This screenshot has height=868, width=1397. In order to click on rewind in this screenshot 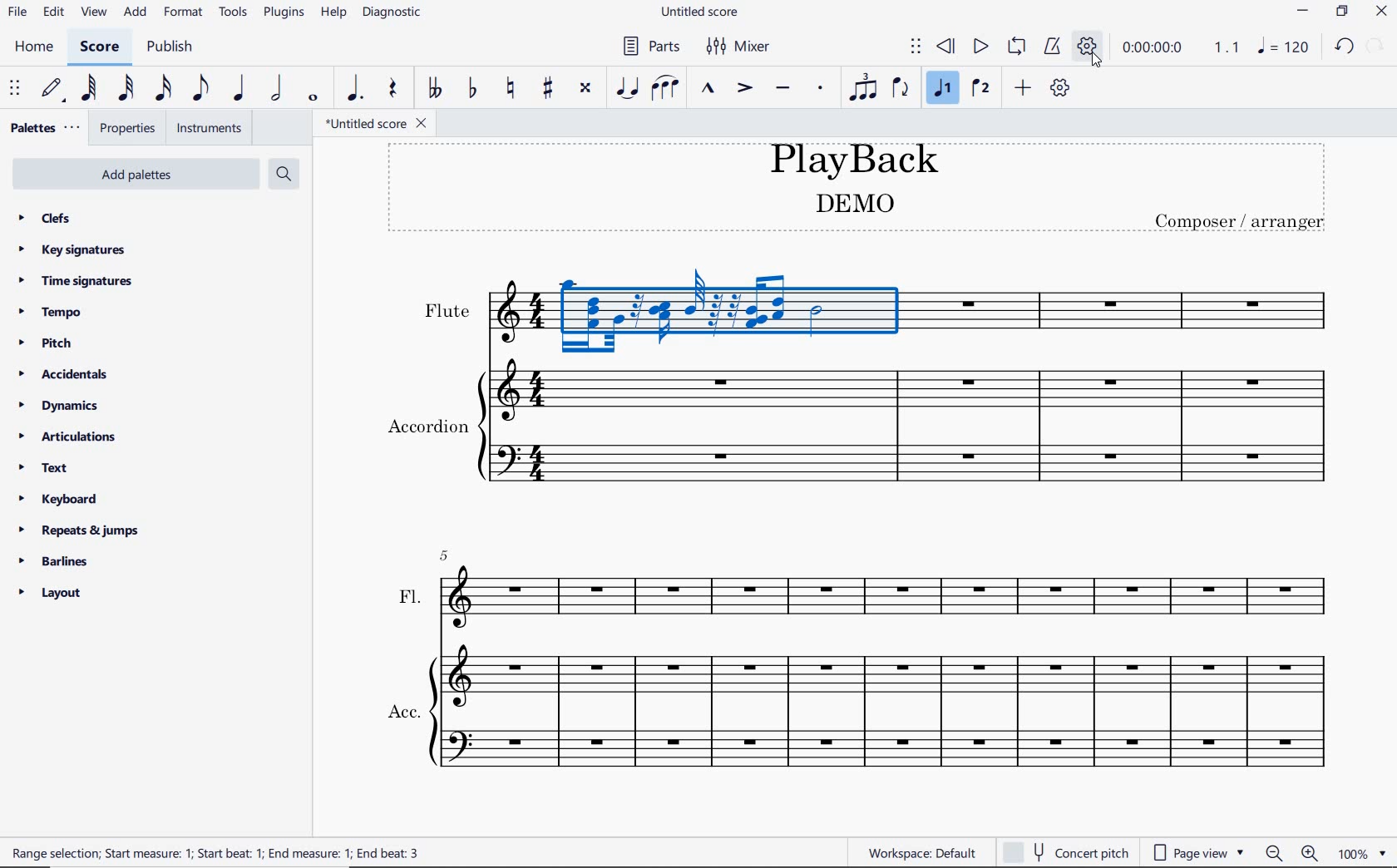, I will do `click(946, 48)`.